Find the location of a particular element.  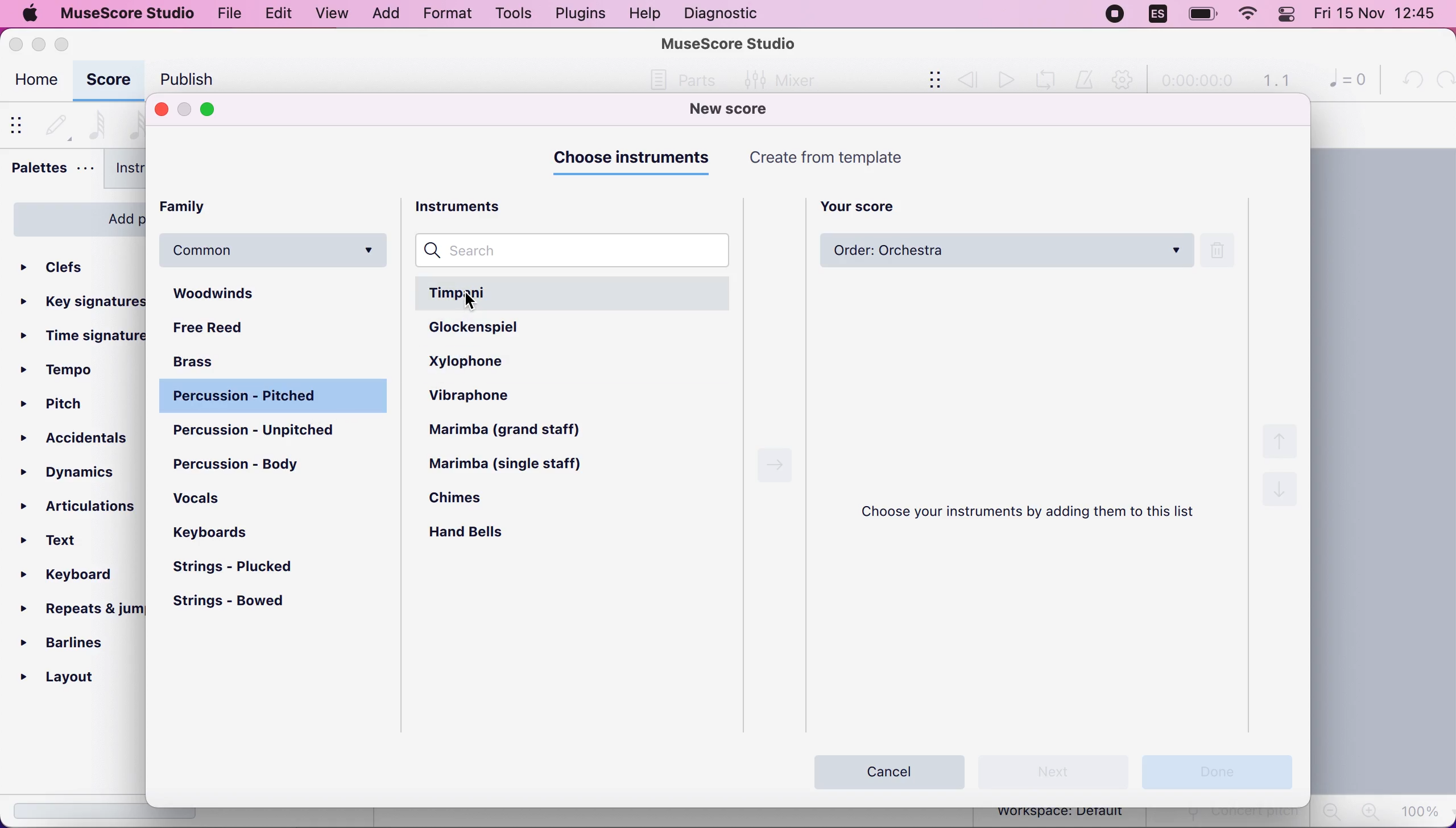

cancel is located at coordinates (891, 769).